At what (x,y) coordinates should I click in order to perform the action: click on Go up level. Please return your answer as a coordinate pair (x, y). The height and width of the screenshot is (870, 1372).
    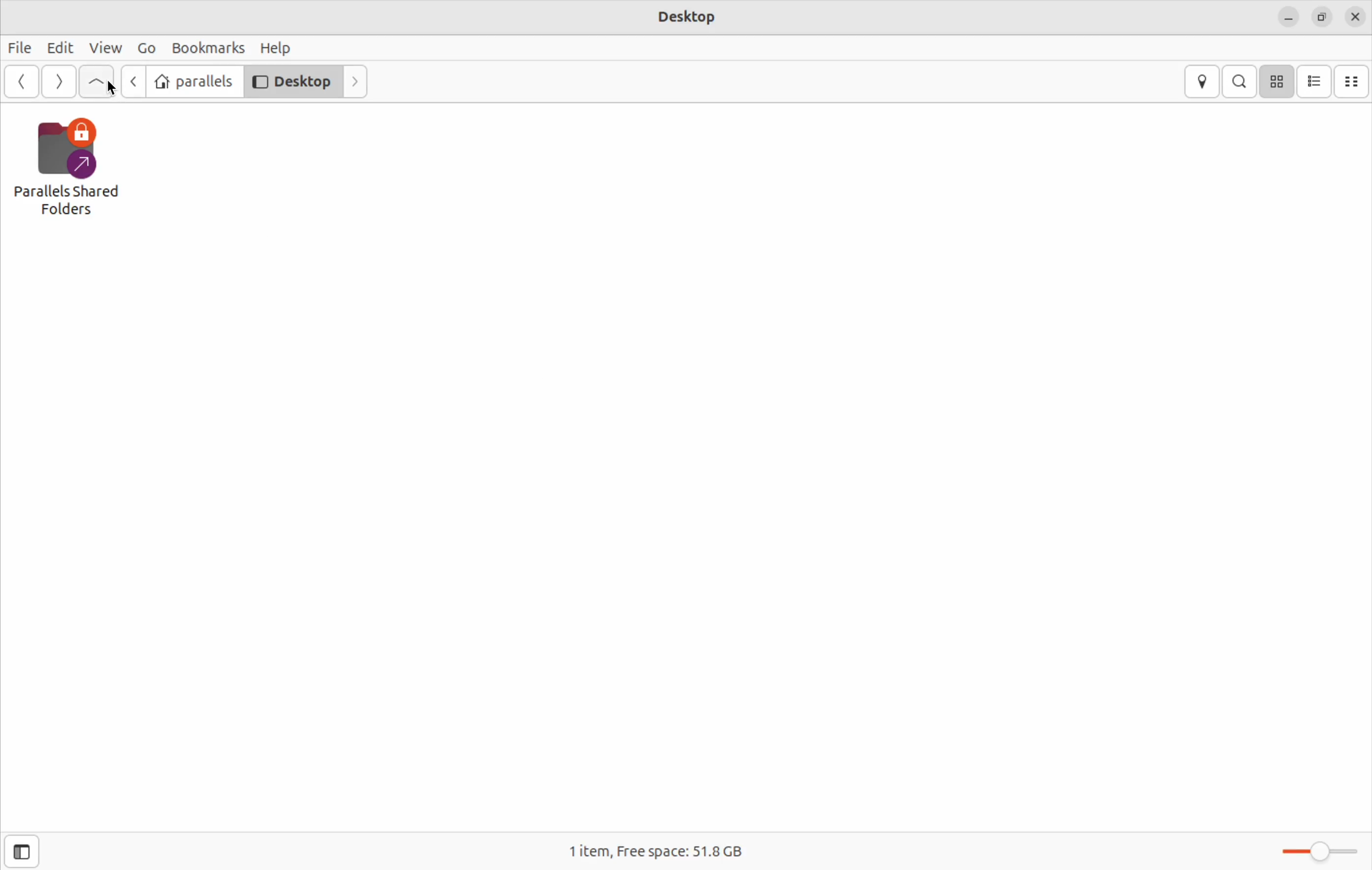
    Looking at the image, I should click on (96, 82).